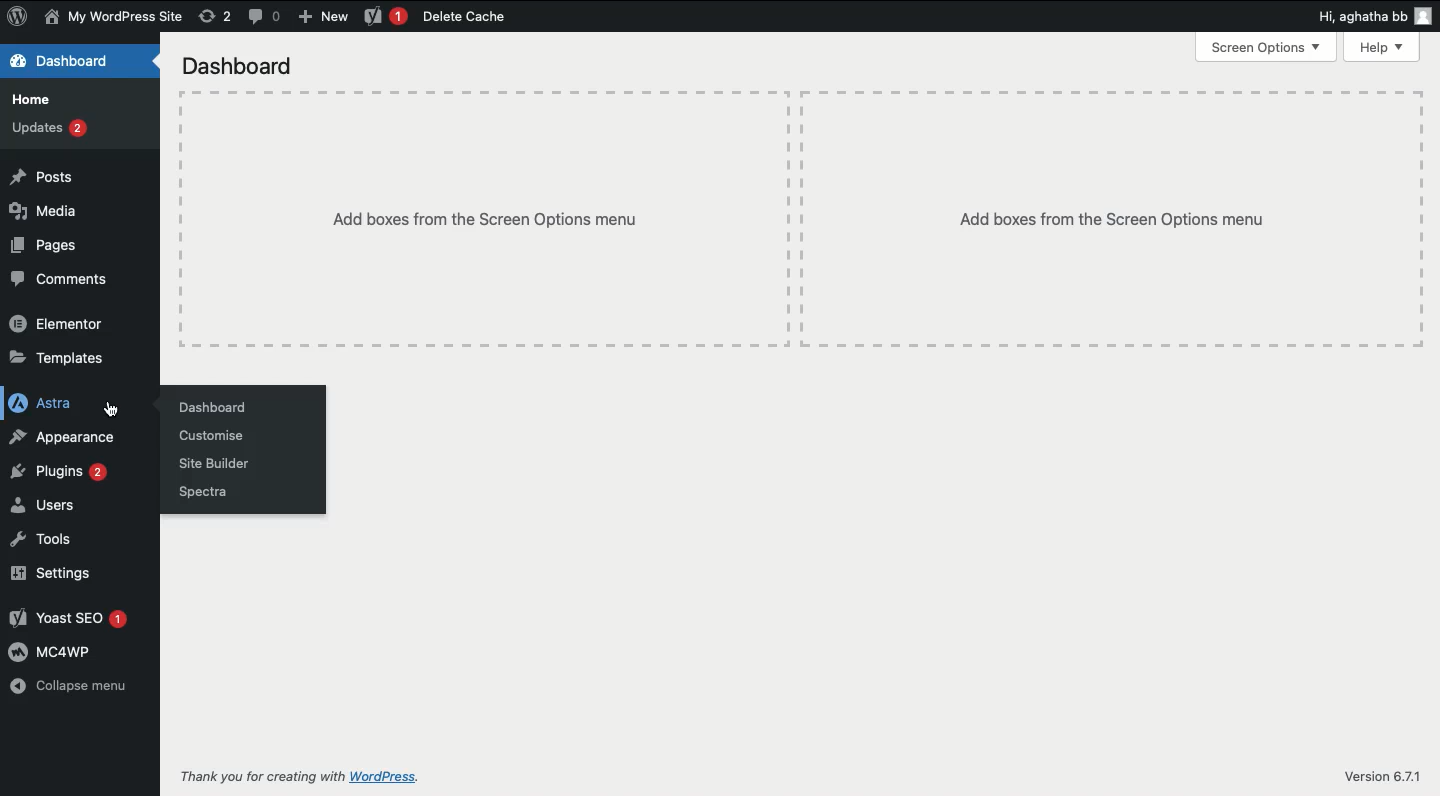 The width and height of the screenshot is (1440, 796). I want to click on Delete cache, so click(463, 17).